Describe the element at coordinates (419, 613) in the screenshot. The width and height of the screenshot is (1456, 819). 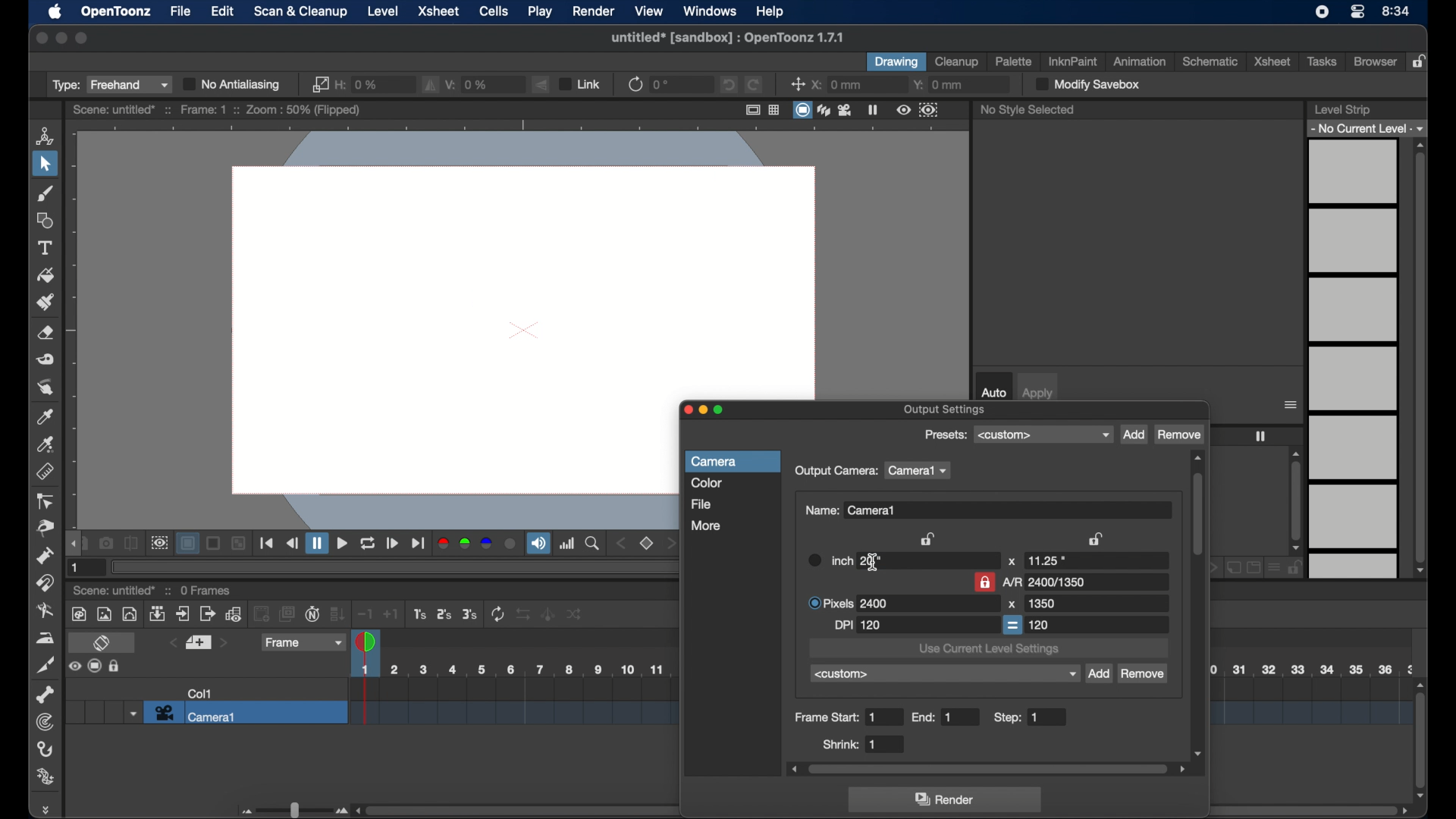
I see `` at that location.